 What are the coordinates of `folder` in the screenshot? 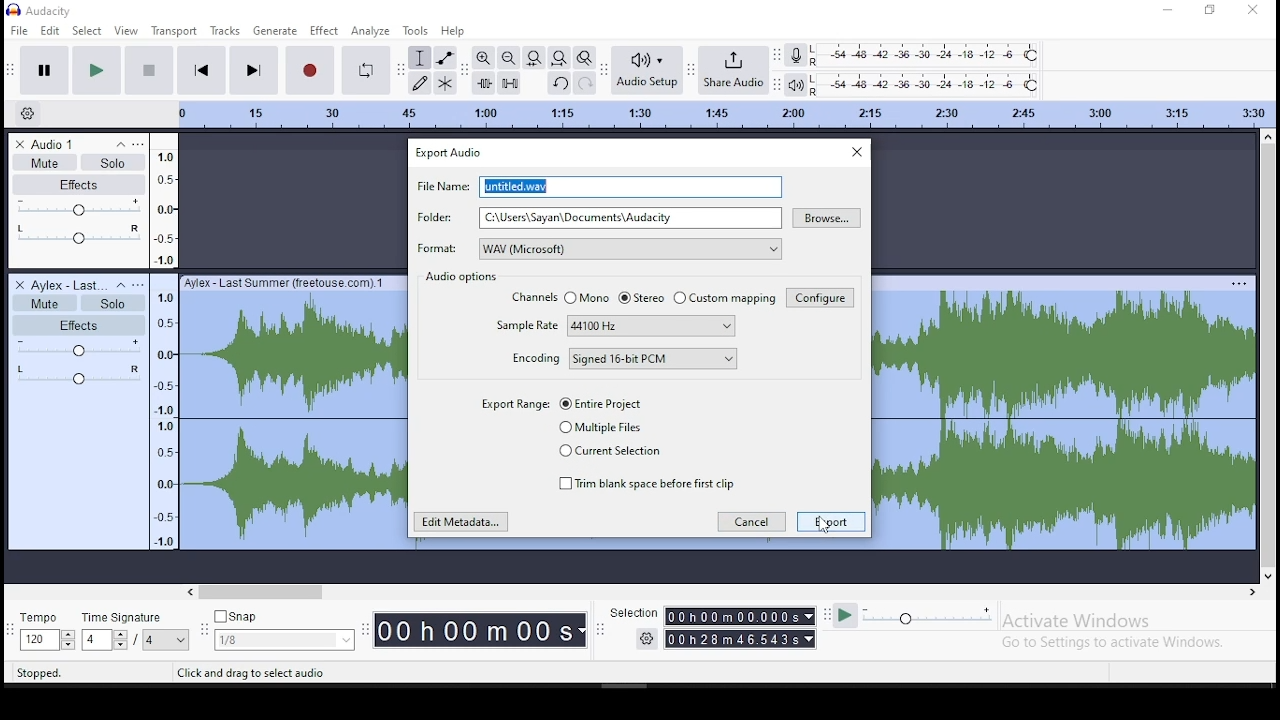 It's located at (599, 217).